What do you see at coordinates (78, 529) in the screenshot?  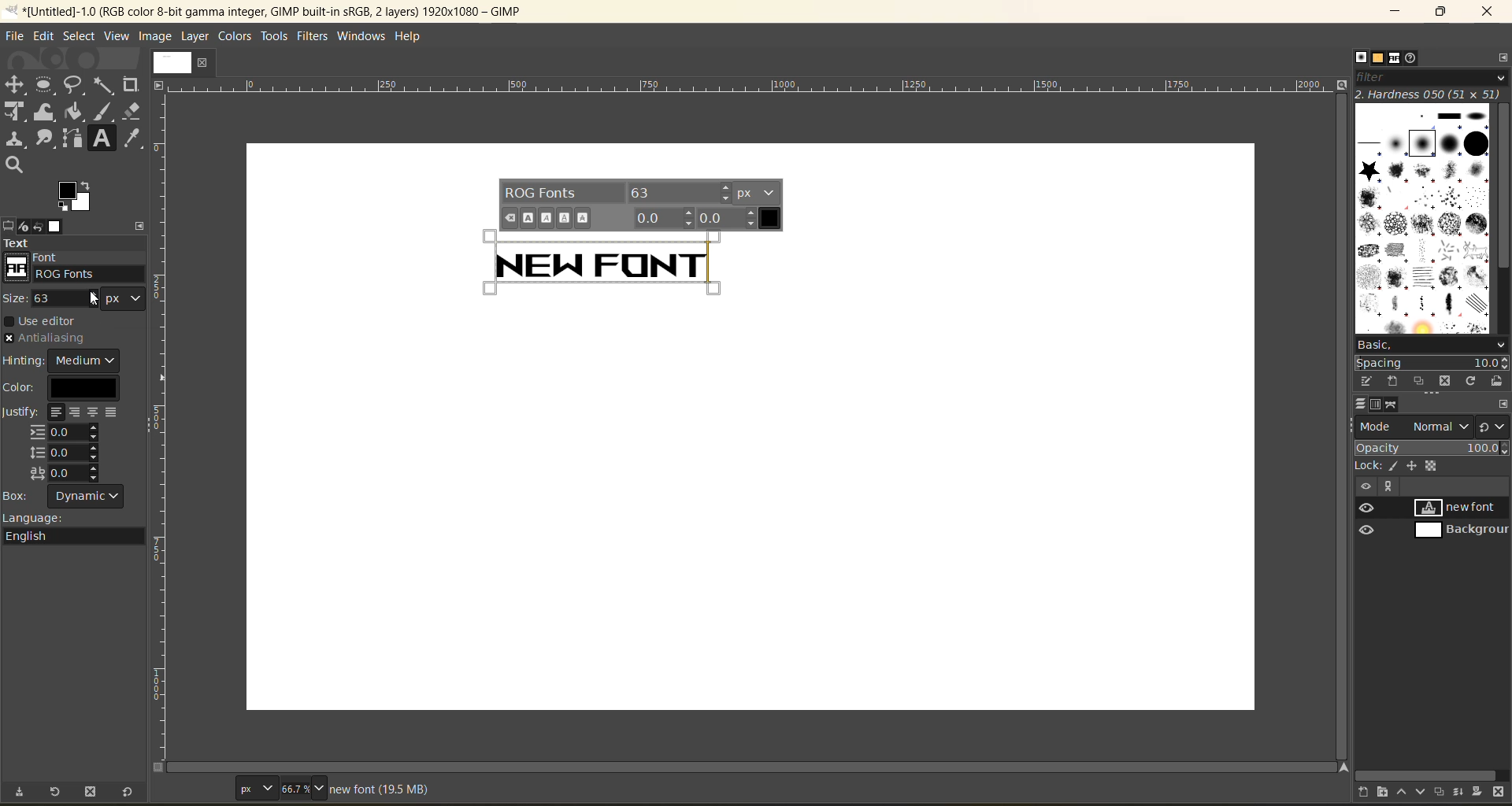 I see `language` at bounding box center [78, 529].